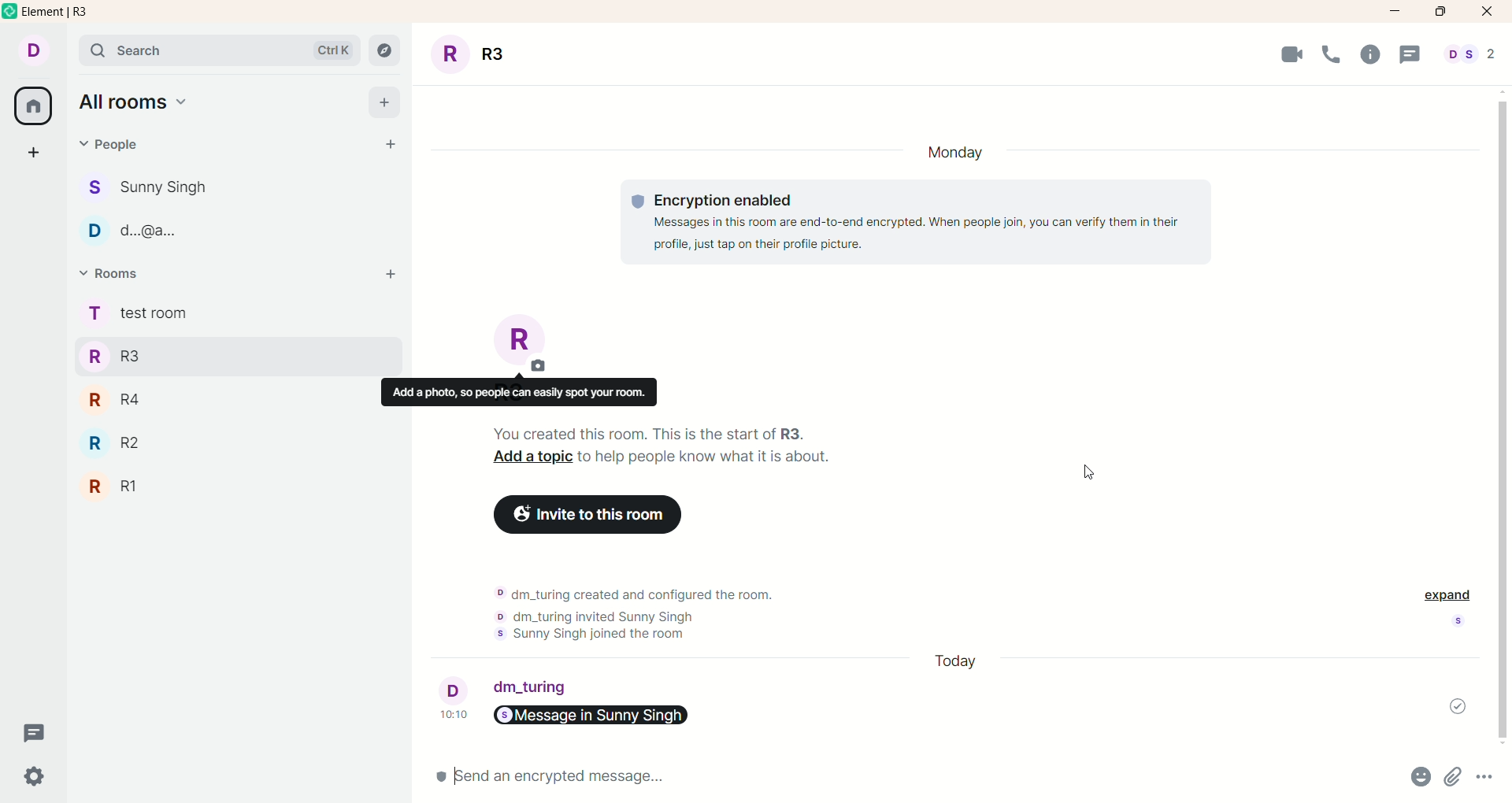 The image size is (1512, 803). What do you see at coordinates (1489, 12) in the screenshot?
I see `close` at bounding box center [1489, 12].